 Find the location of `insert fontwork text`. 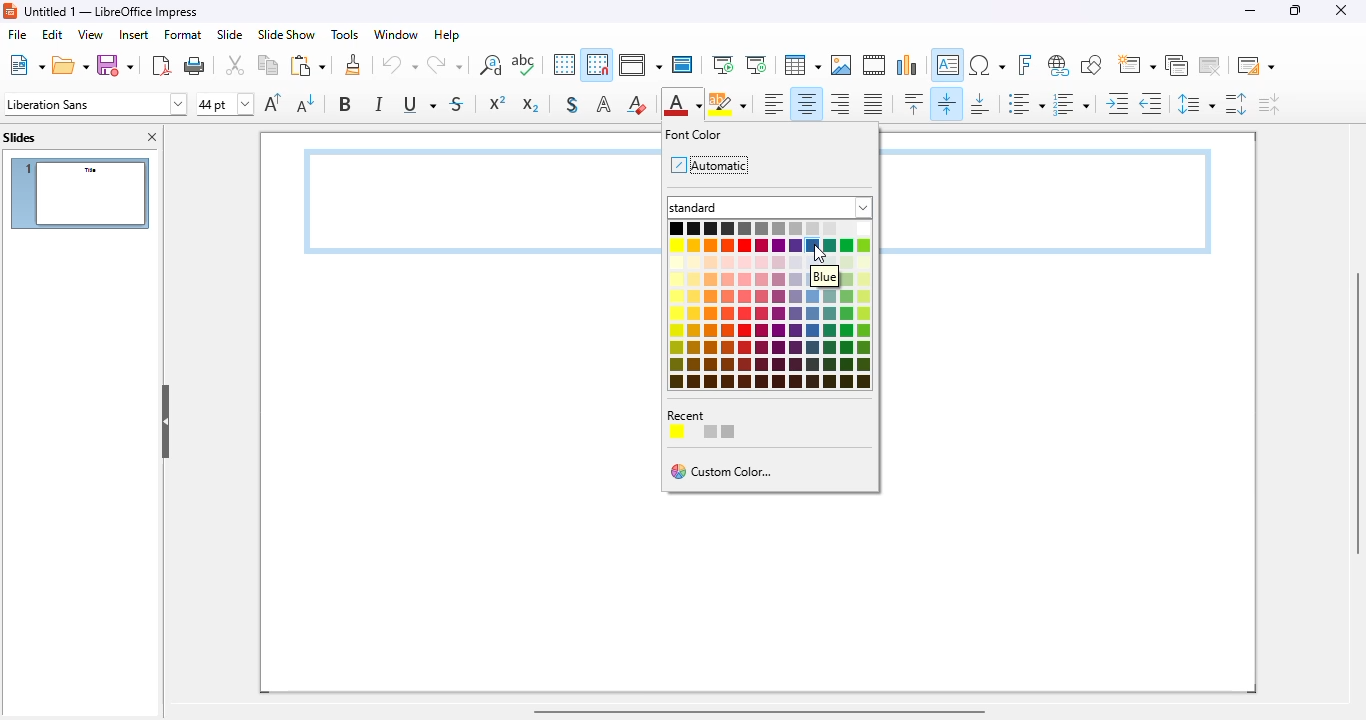

insert fontwork text is located at coordinates (1025, 65).